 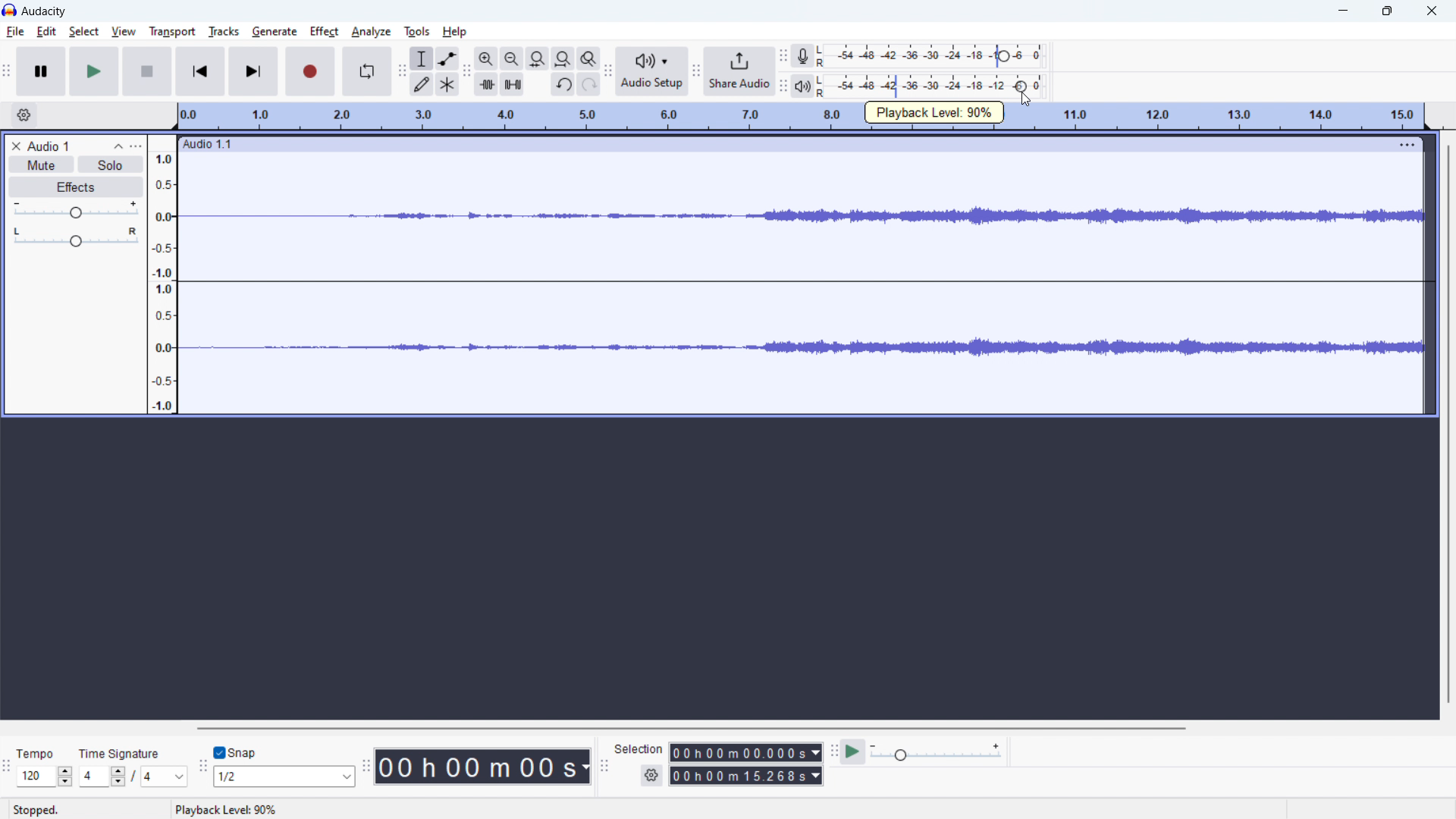 I want to click on analyze, so click(x=371, y=31).